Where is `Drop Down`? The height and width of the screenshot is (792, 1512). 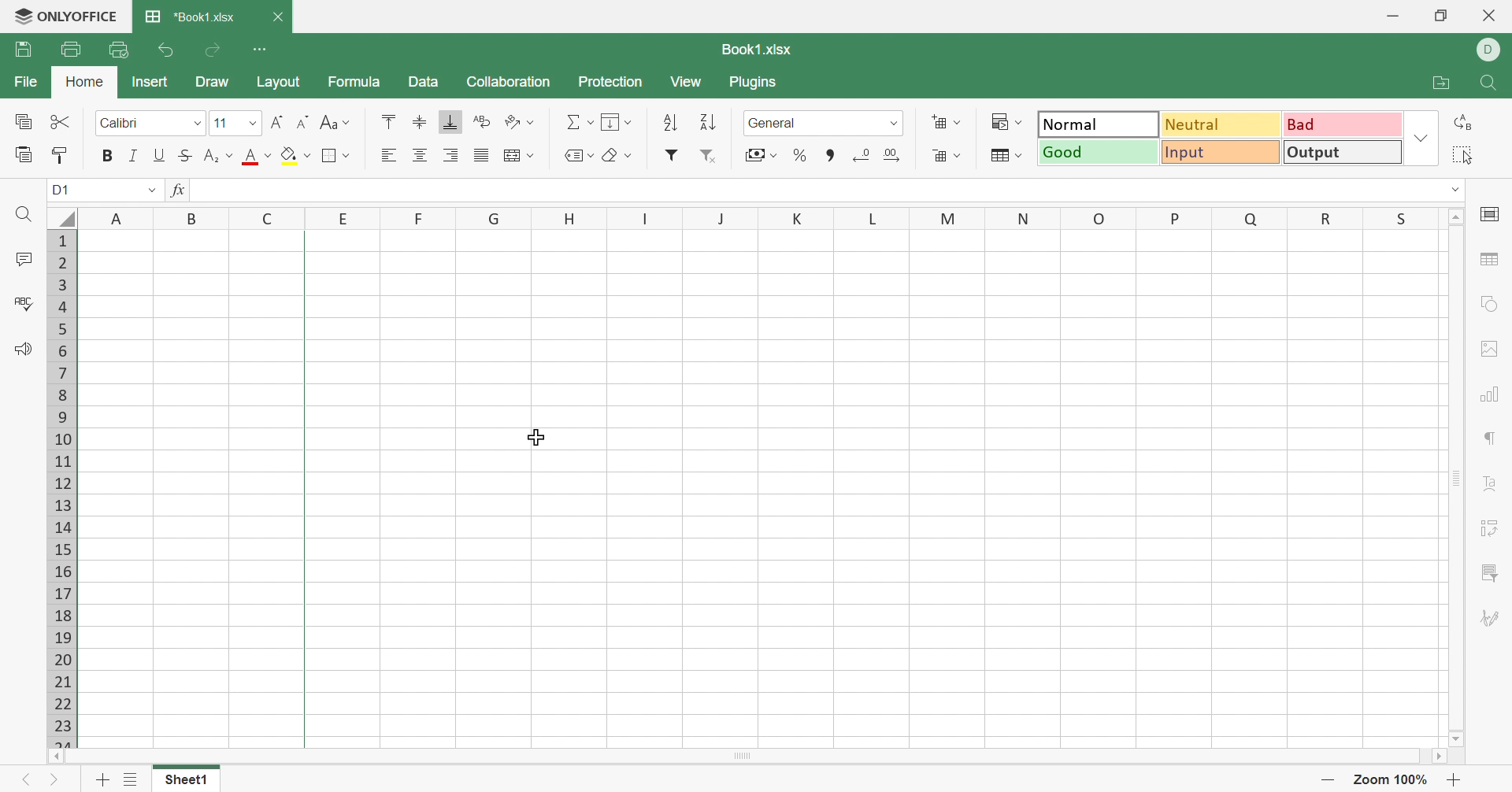
Drop Down is located at coordinates (628, 122).